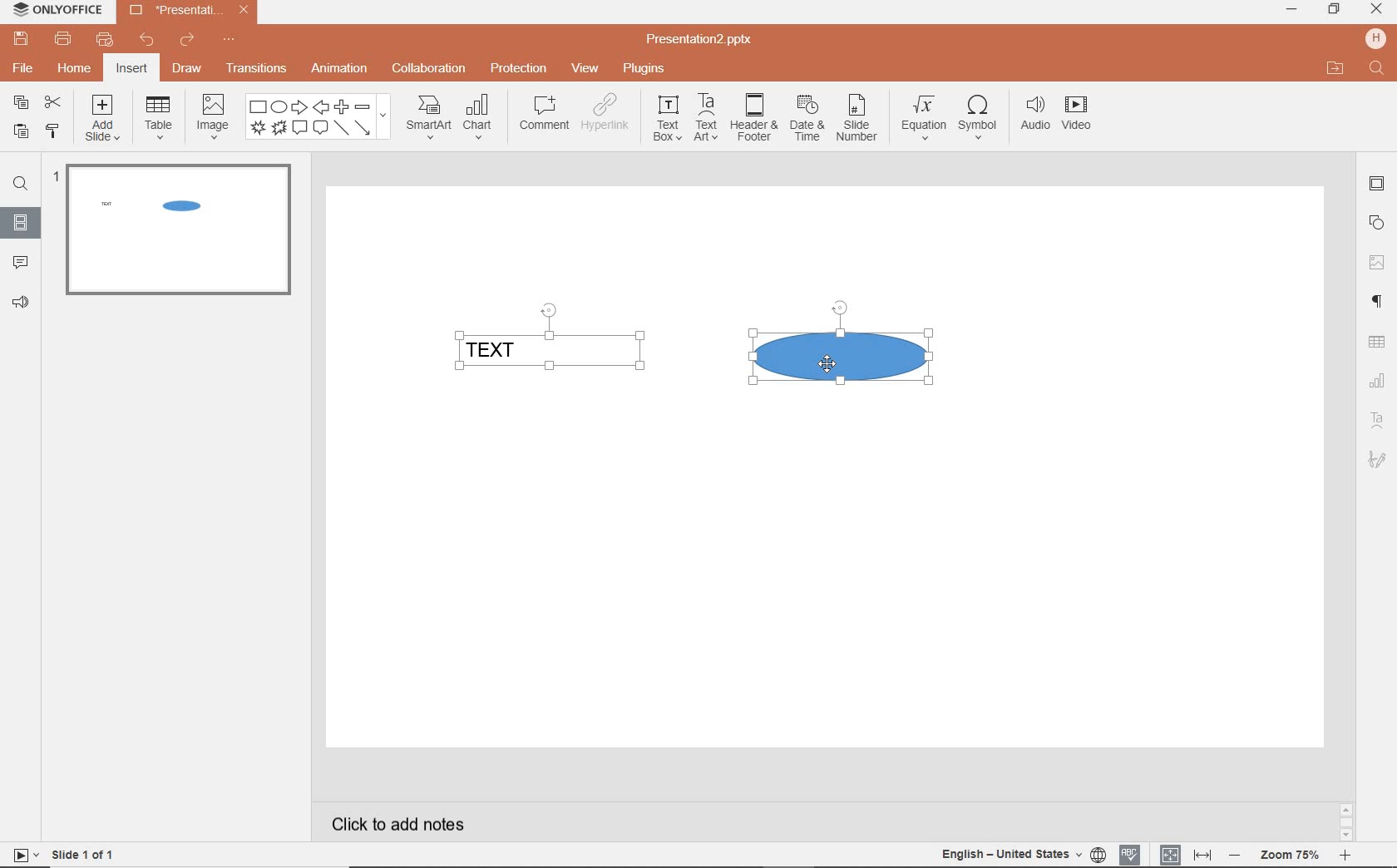 The height and width of the screenshot is (868, 1397). What do you see at coordinates (545, 113) in the screenshot?
I see `comment` at bounding box center [545, 113].